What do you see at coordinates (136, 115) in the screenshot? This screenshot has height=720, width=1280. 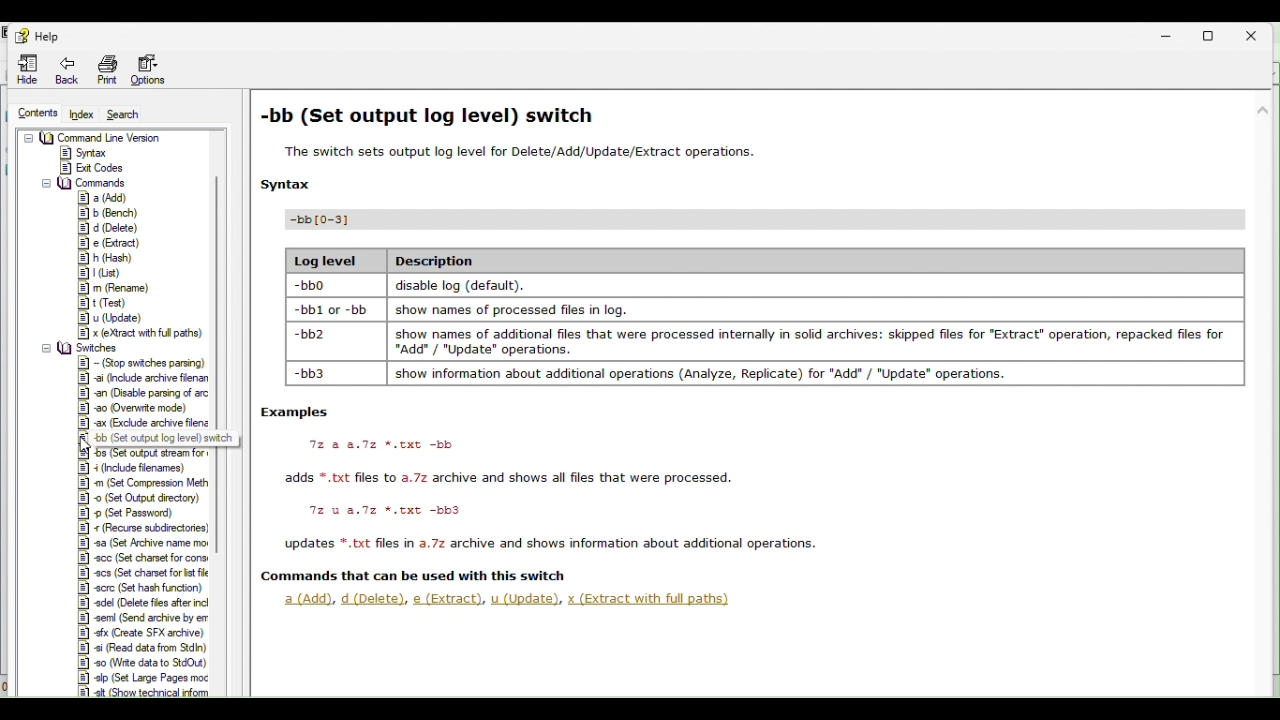 I see `Search` at bounding box center [136, 115].